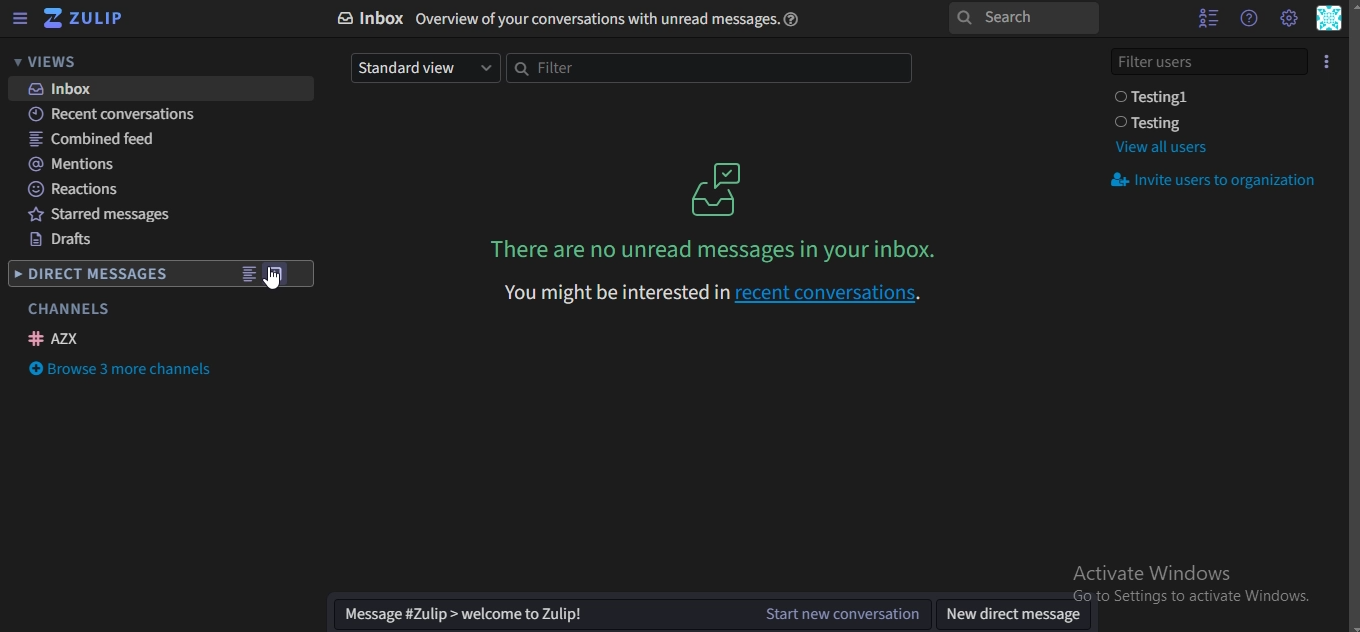 This screenshot has height=632, width=1360. What do you see at coordinates (1203, 18) in the screenshot?
I see `hide userlist` at bounding box center [1203, 18].